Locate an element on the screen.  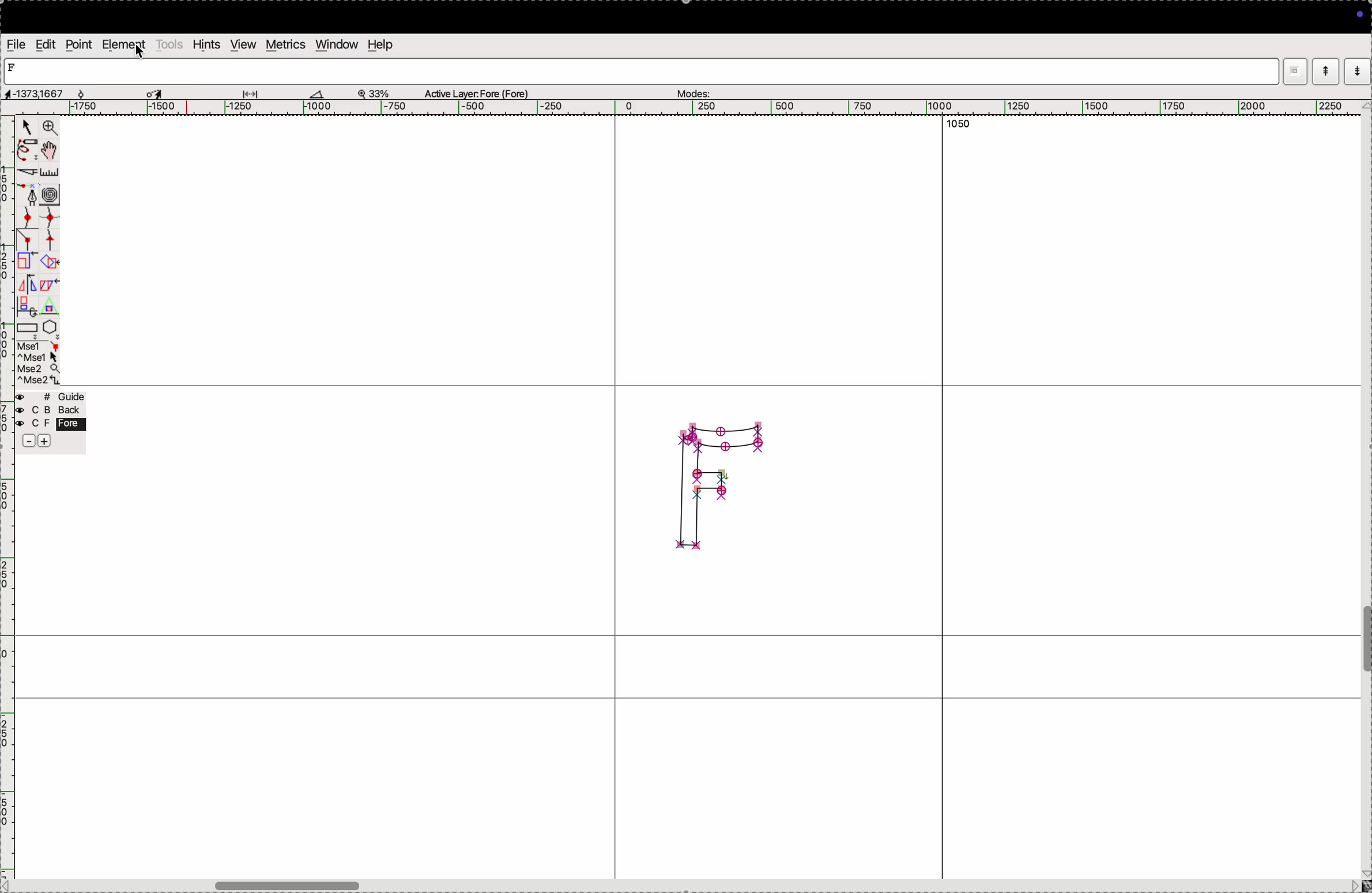
back is located at coordinates (47, 411).